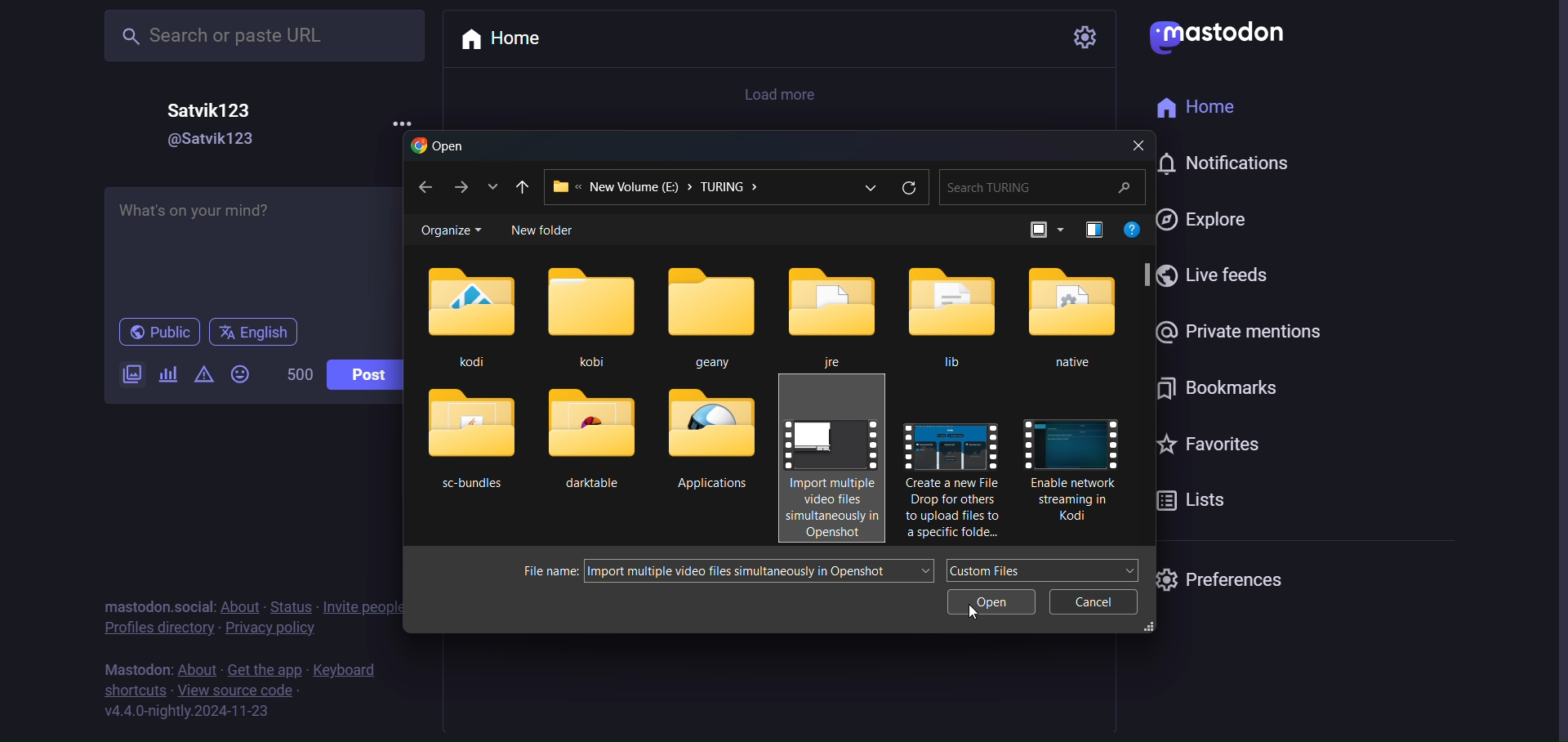 The width and height of the screenshot is (1568, 742). I want to click on Satvik123, so click(212, 110).